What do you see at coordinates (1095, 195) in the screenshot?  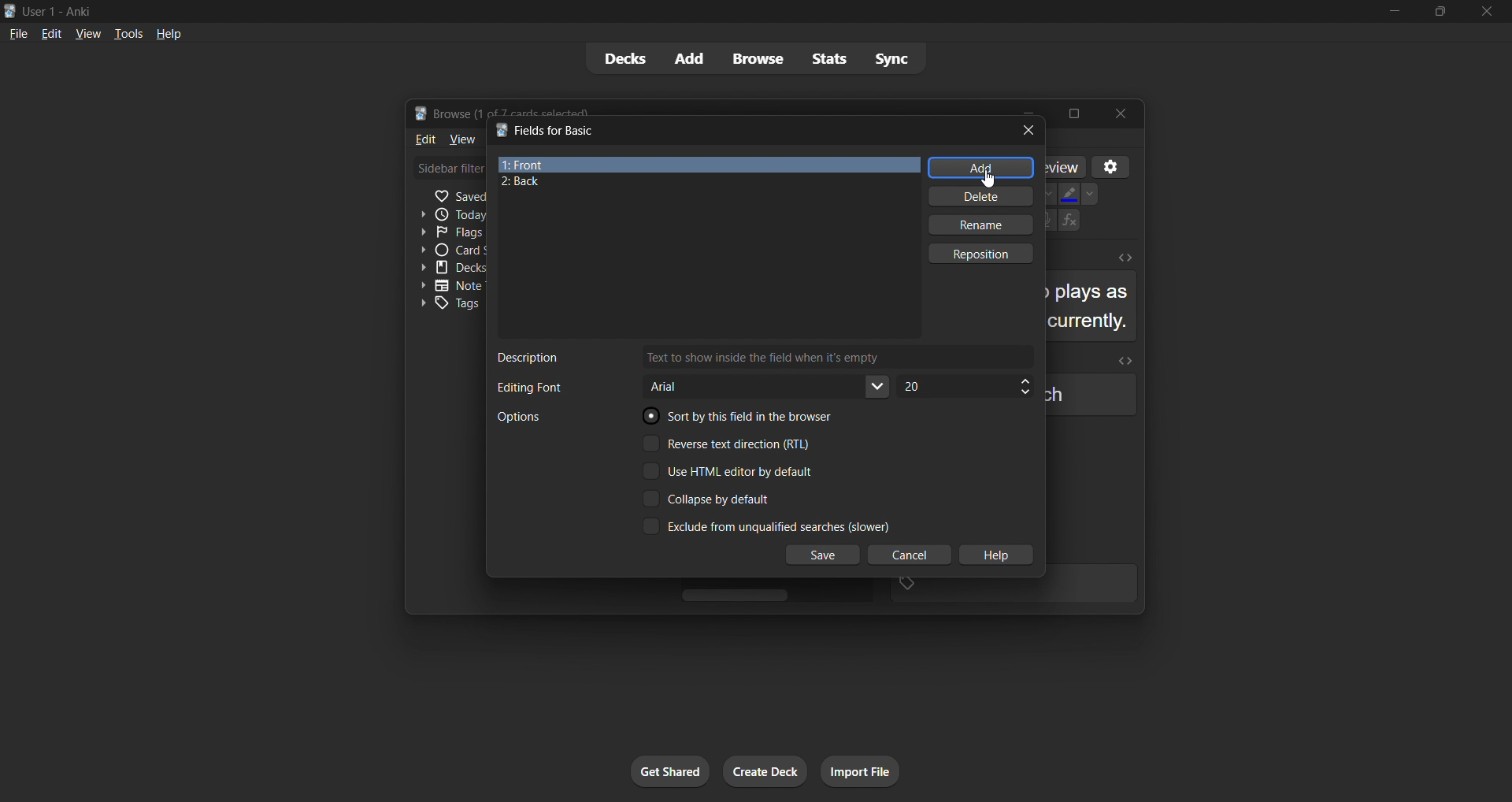 I see `Down arrow` at bounding box center [1095, 195].